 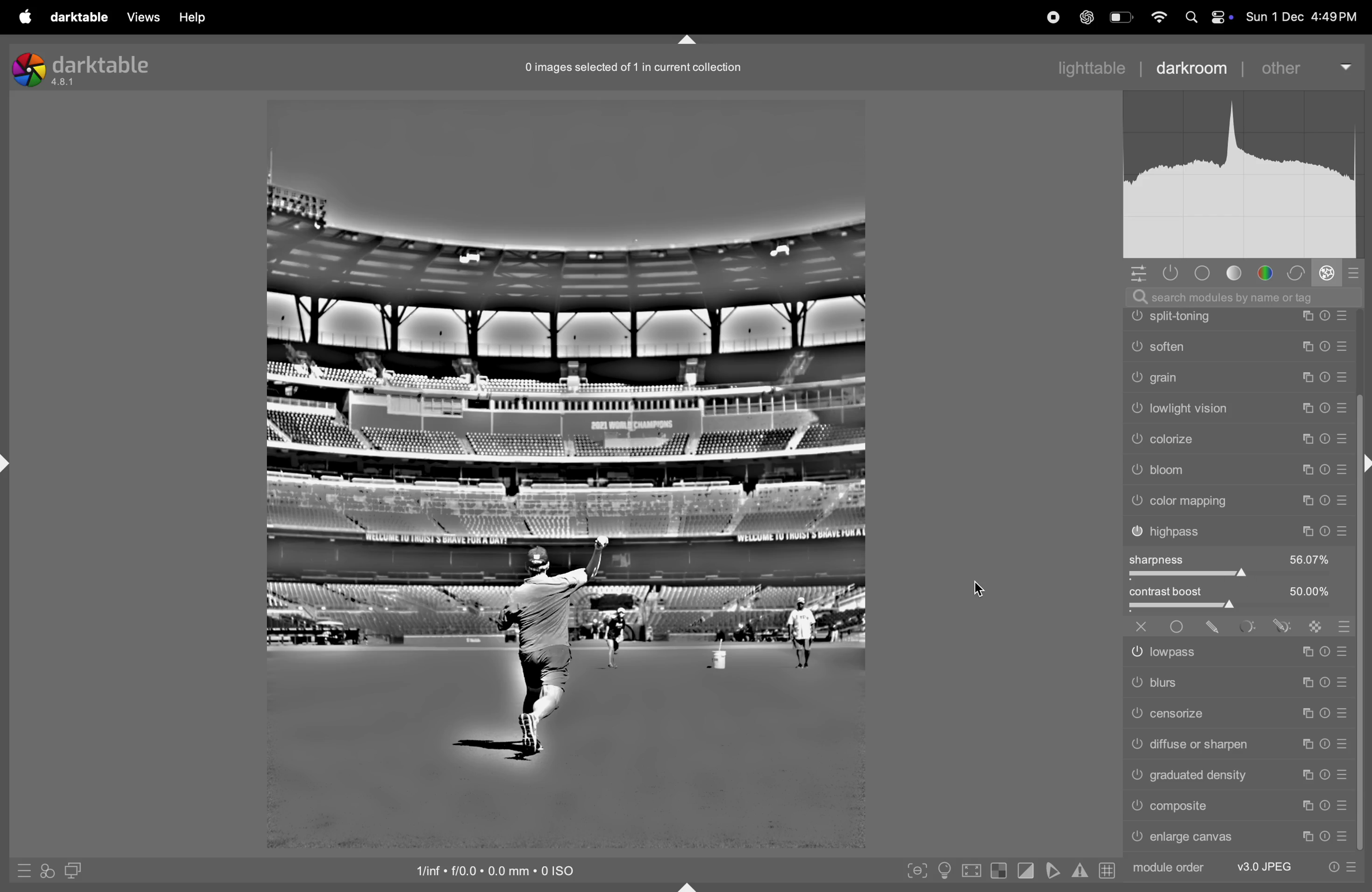 I want to click on help, so click(x=191, y=17).